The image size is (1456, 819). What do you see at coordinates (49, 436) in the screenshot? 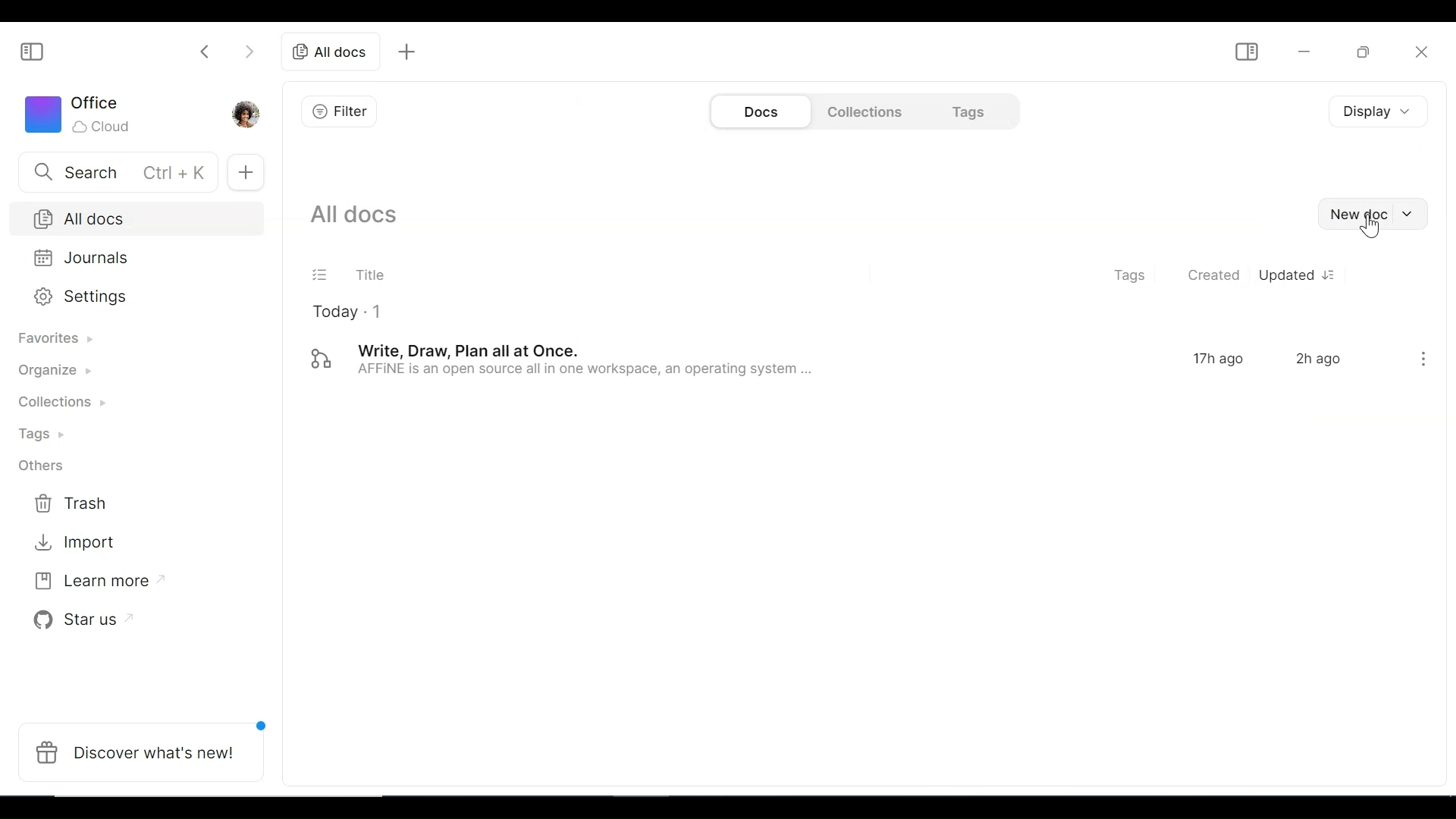
I see `Tags` at bounding box center [49, 436].